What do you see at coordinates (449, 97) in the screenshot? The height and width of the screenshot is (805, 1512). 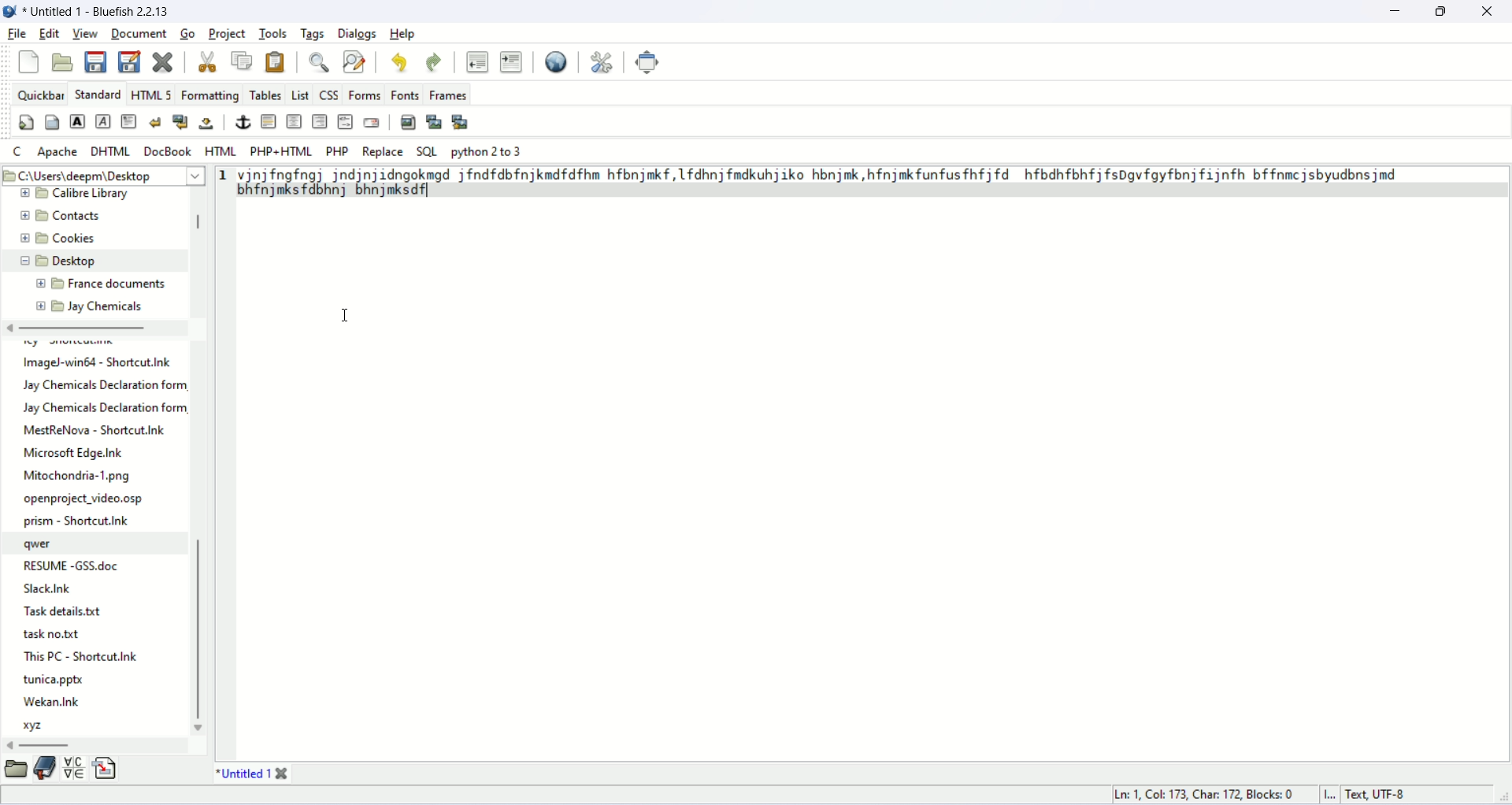 I see `frames` at bounding box center [449, 97].